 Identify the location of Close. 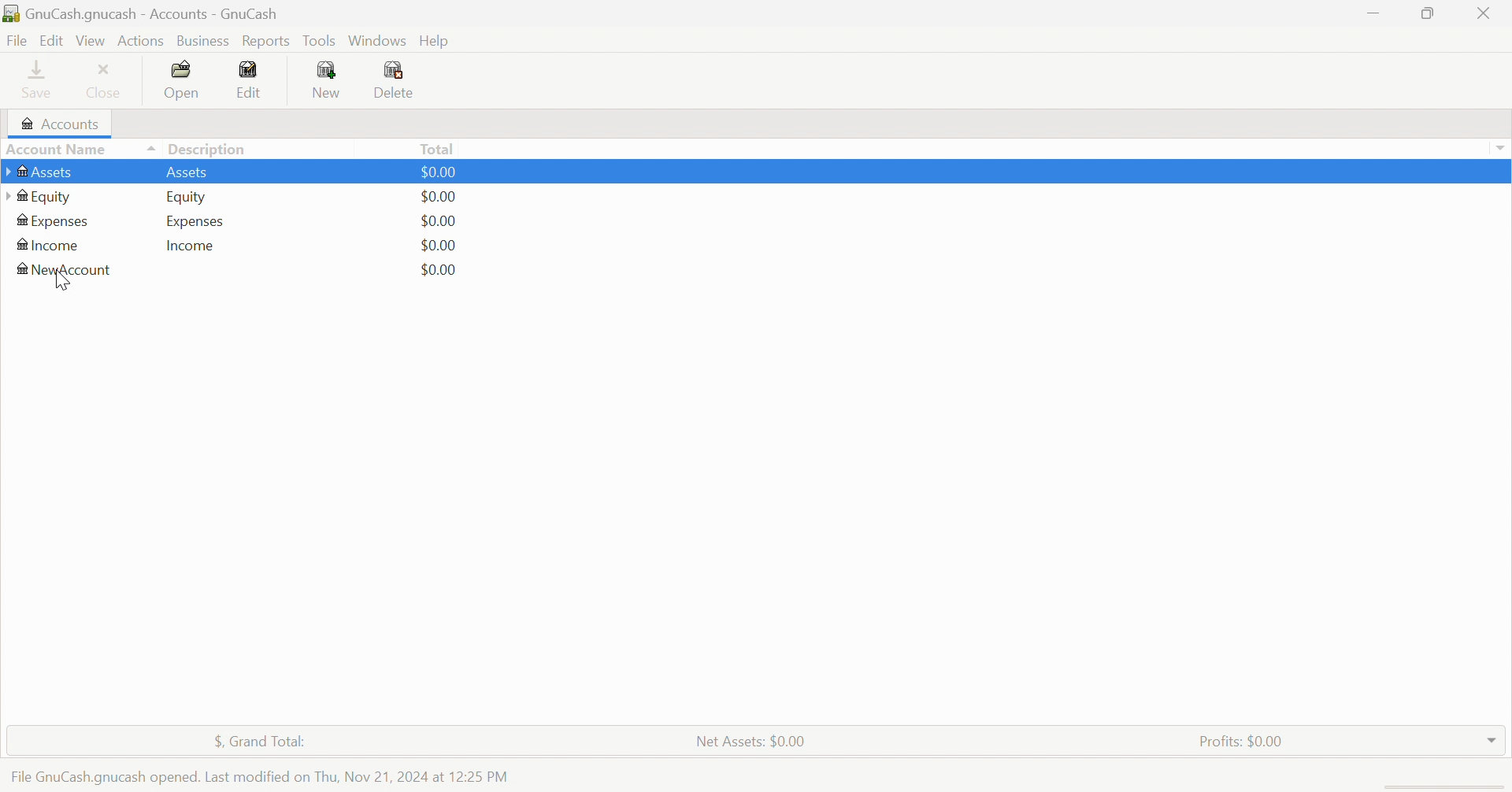
(105, 83).